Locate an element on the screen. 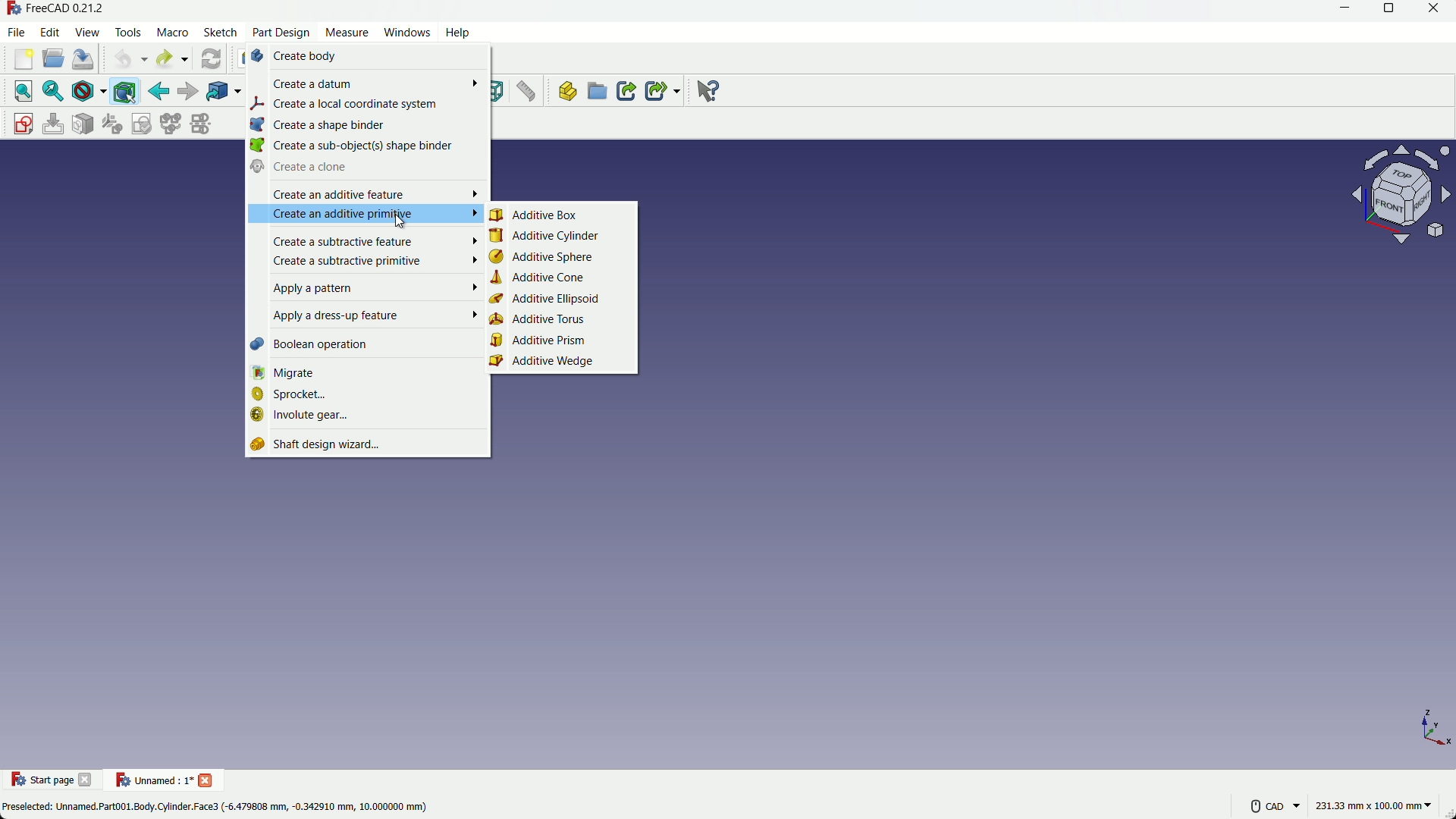 Image resolution: width=1456 pixels, height=819 pixels. create a subtractive primitive is located at coordinates (370, 262).